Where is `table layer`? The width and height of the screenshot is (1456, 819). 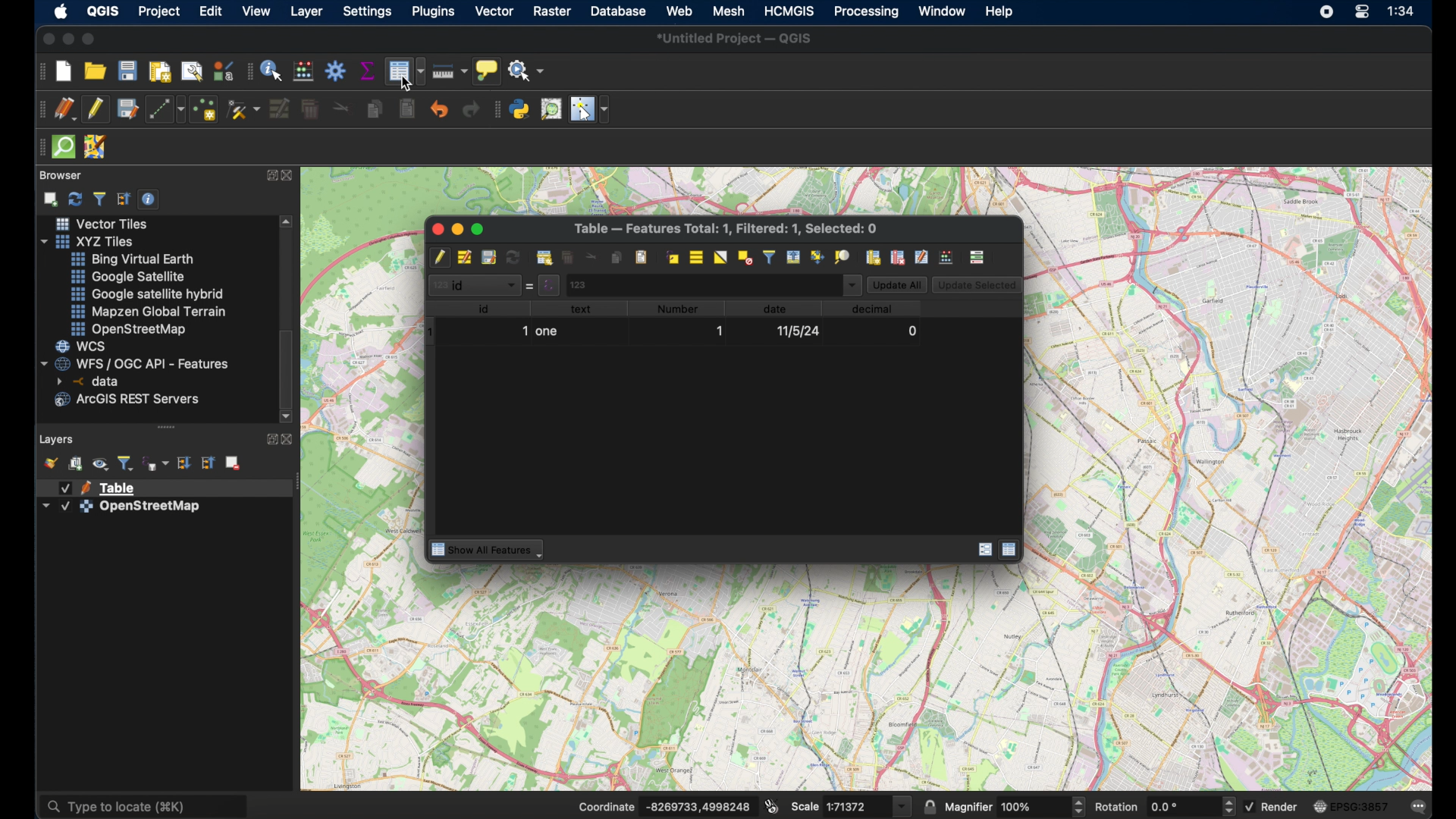
table layer is located at coordinates (99, 486).